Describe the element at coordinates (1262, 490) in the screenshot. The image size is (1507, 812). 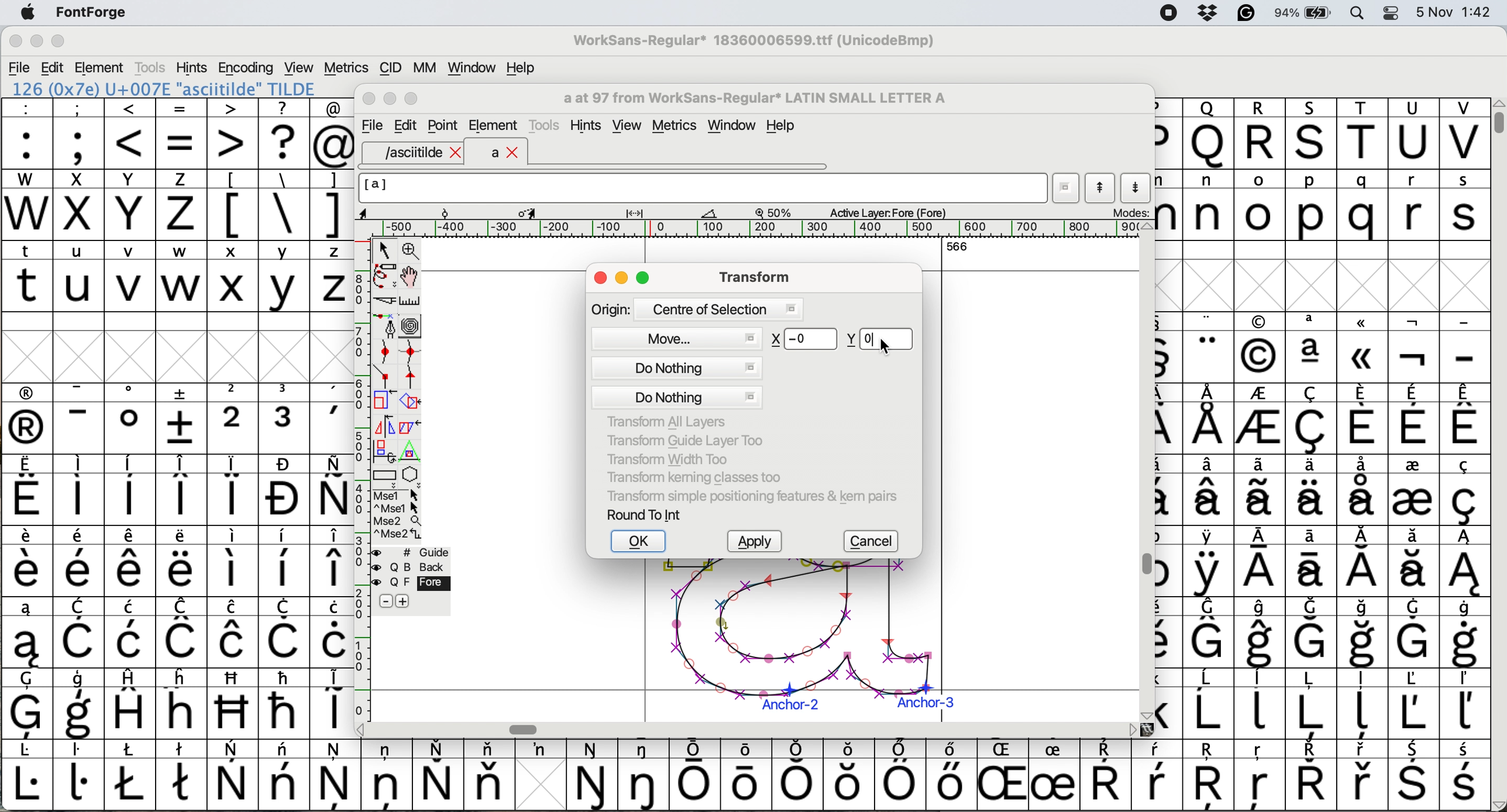
I see `symbol` at that location.